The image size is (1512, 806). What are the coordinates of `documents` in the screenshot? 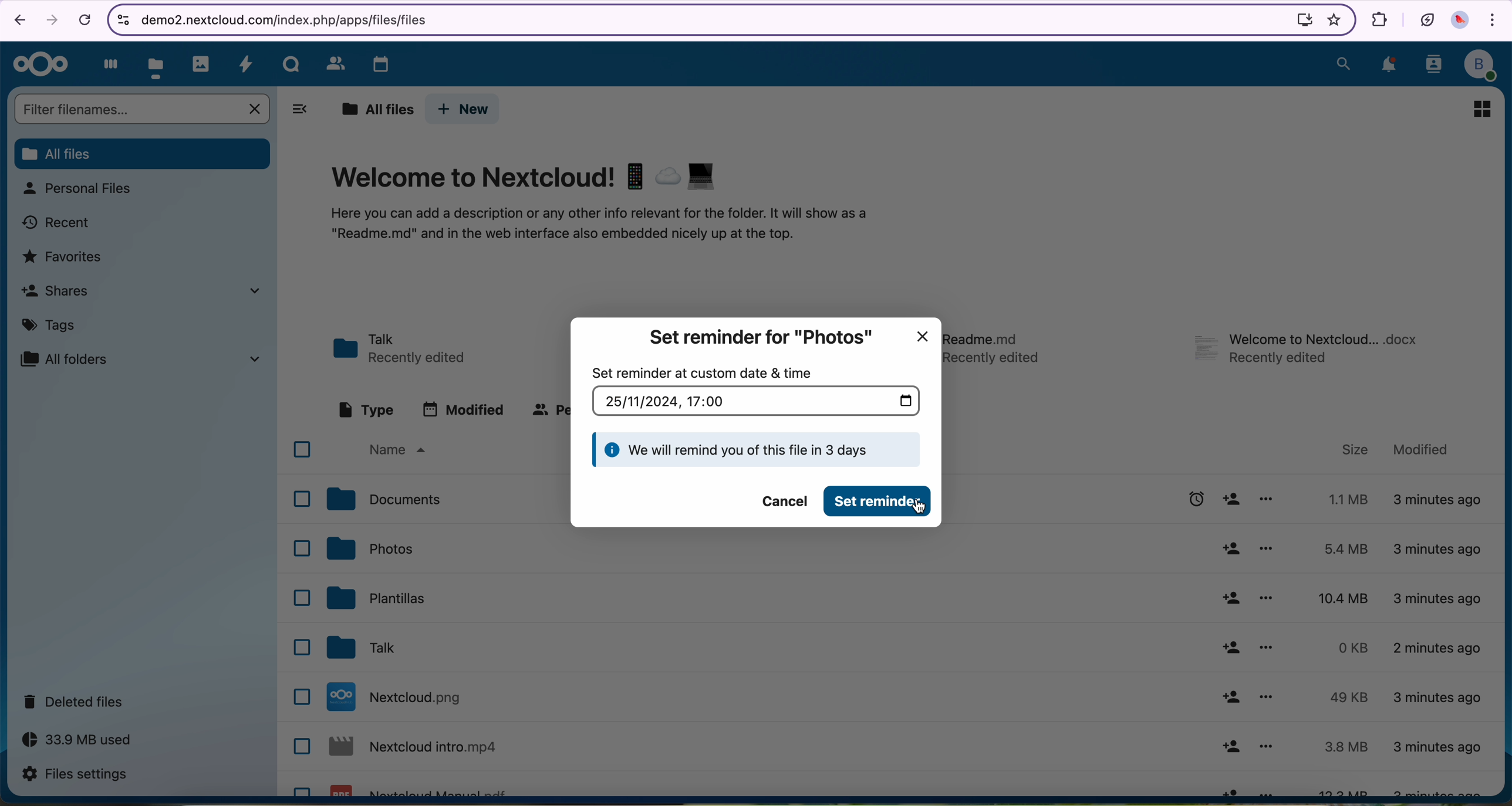 It's located at (386, 500).